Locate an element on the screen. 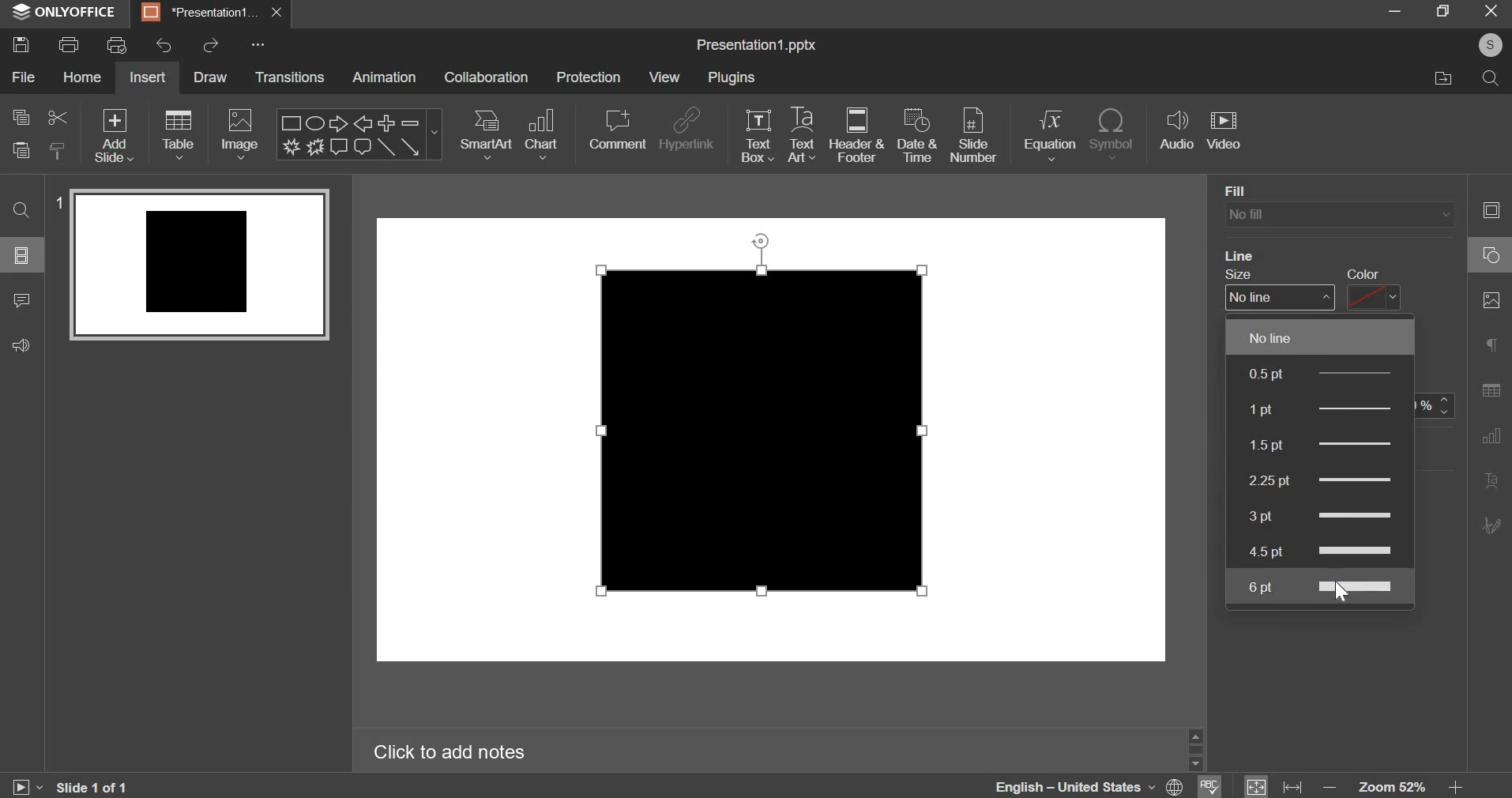  feedback is located at coordinates (20, 344).